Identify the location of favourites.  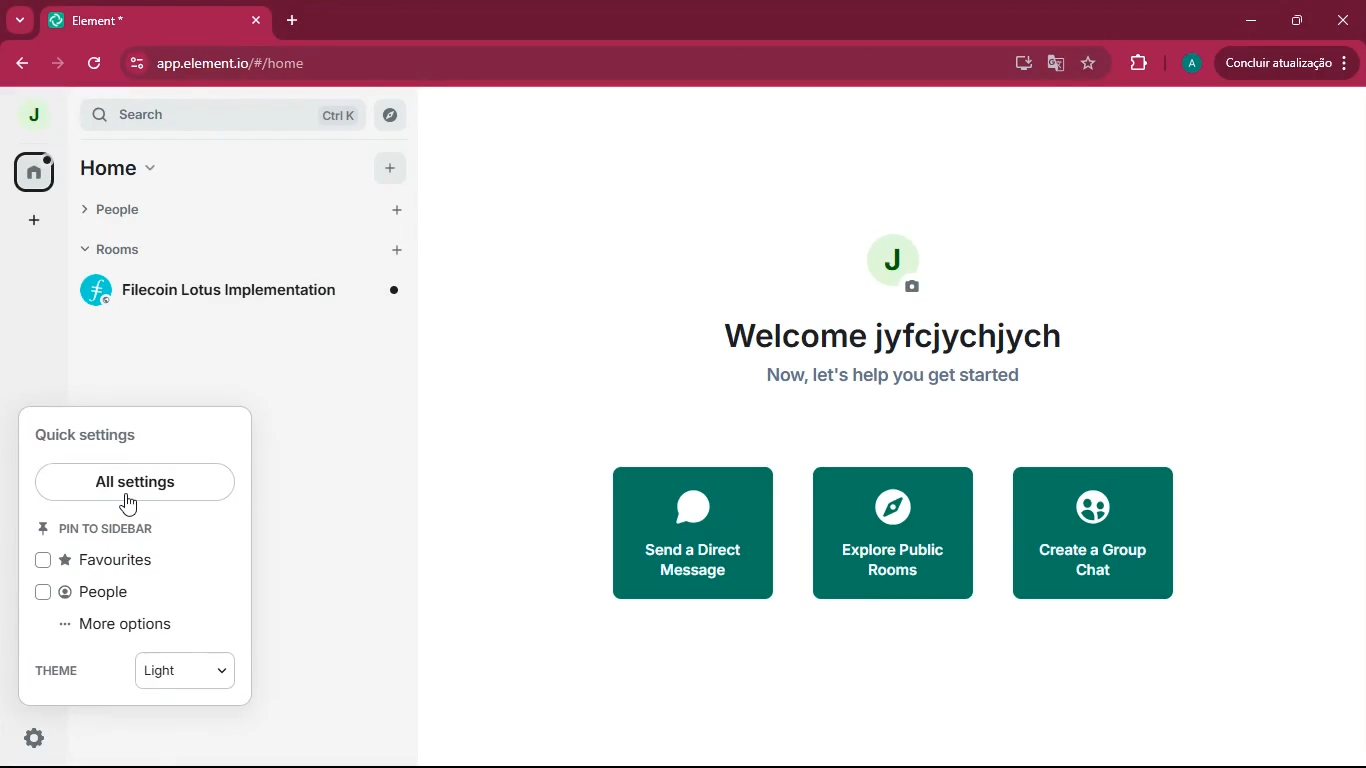
(100, 561).